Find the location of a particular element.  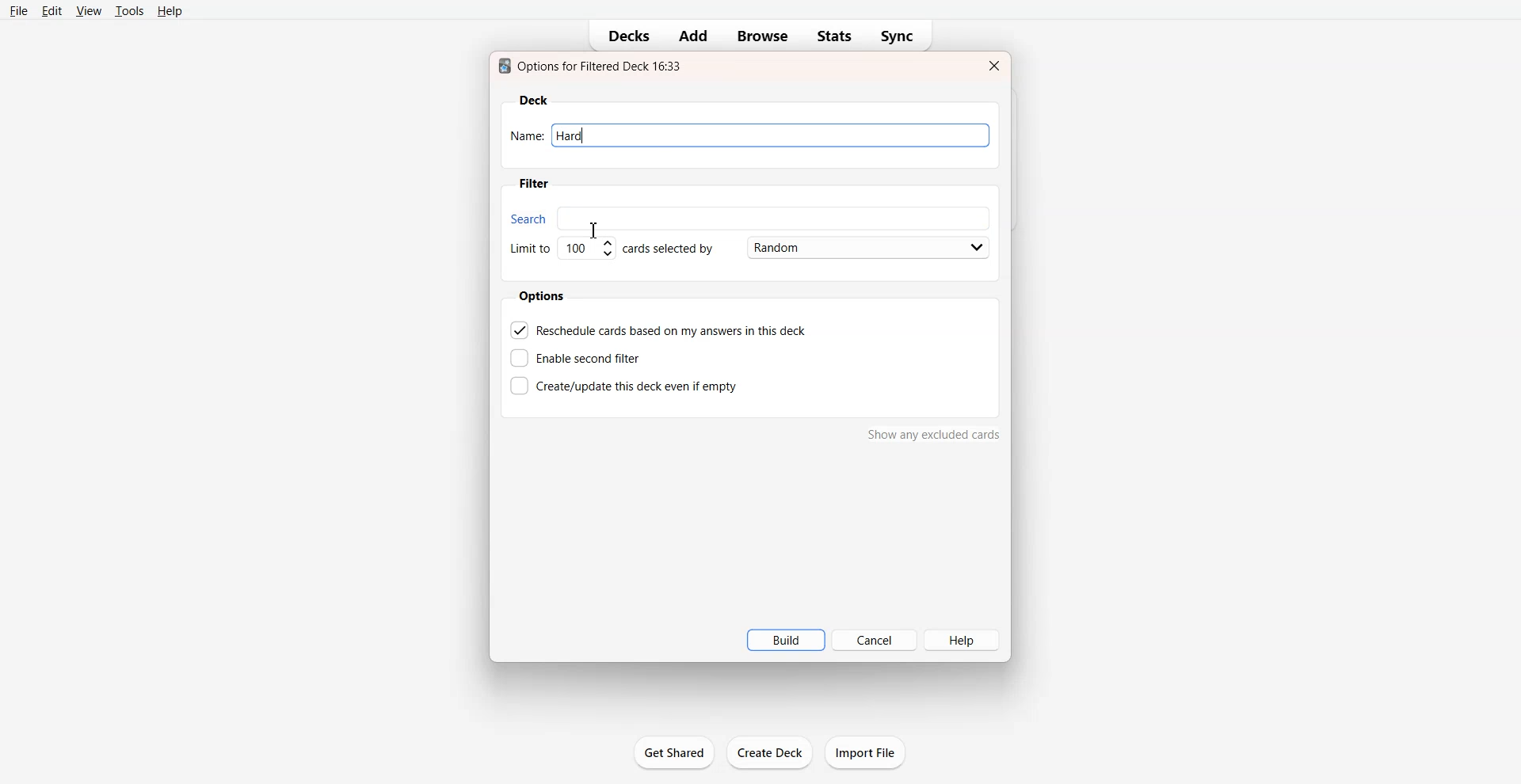

File is located at coordinates (19, 10).